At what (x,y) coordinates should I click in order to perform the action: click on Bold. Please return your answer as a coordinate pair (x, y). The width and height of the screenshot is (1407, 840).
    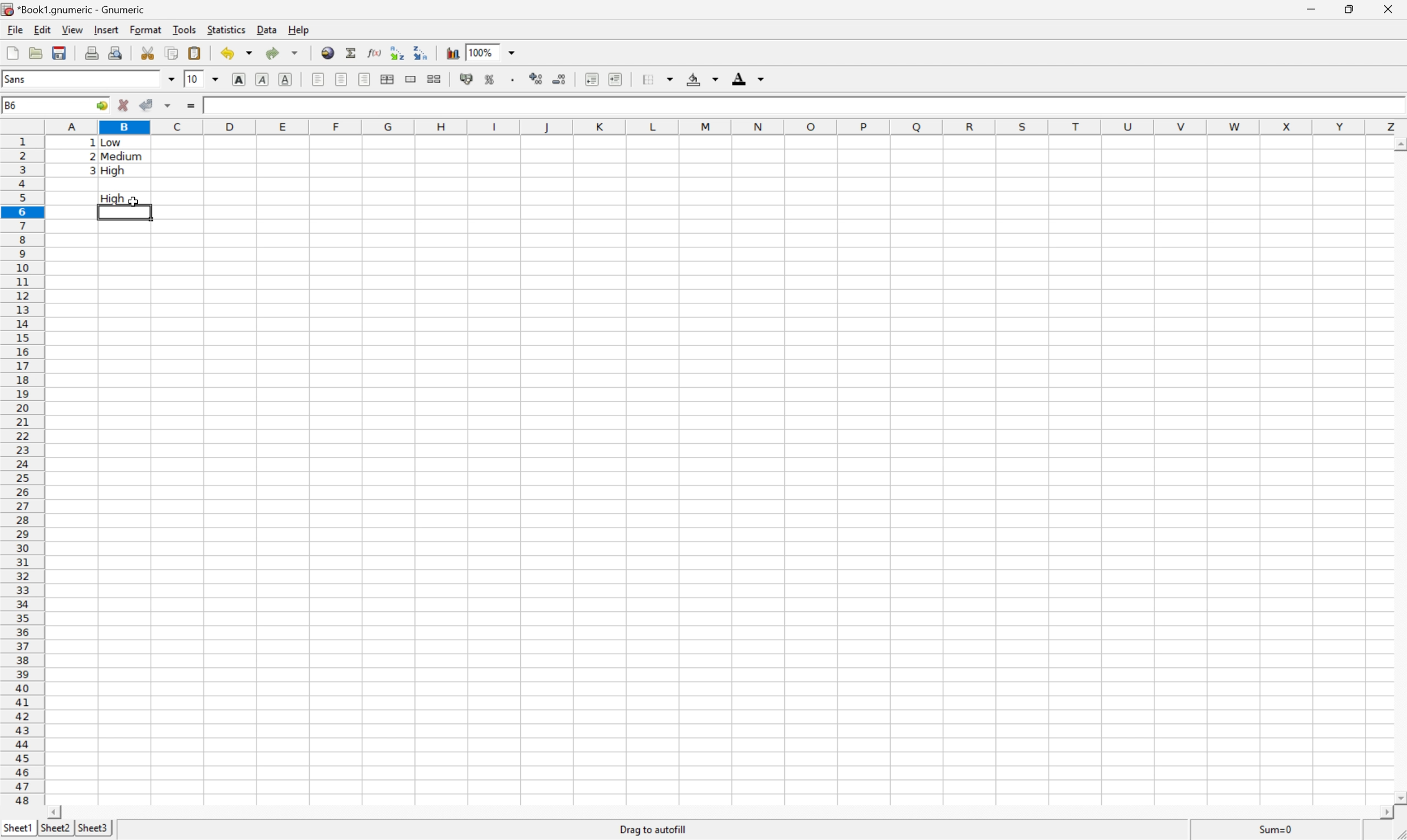
    Looking at the image, I should click on (238, 79).